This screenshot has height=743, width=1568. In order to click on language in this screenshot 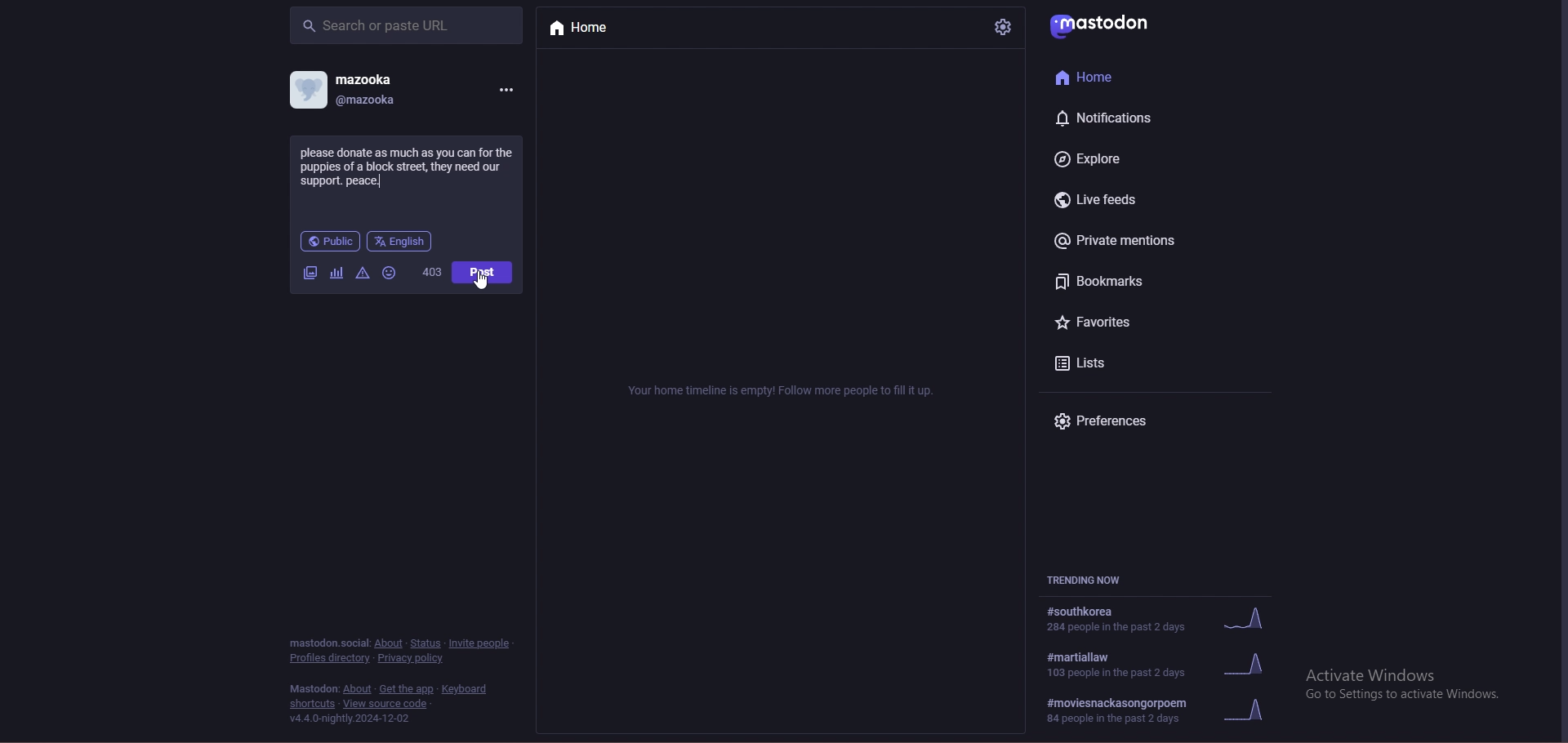, I will do `click(401, 242)`.